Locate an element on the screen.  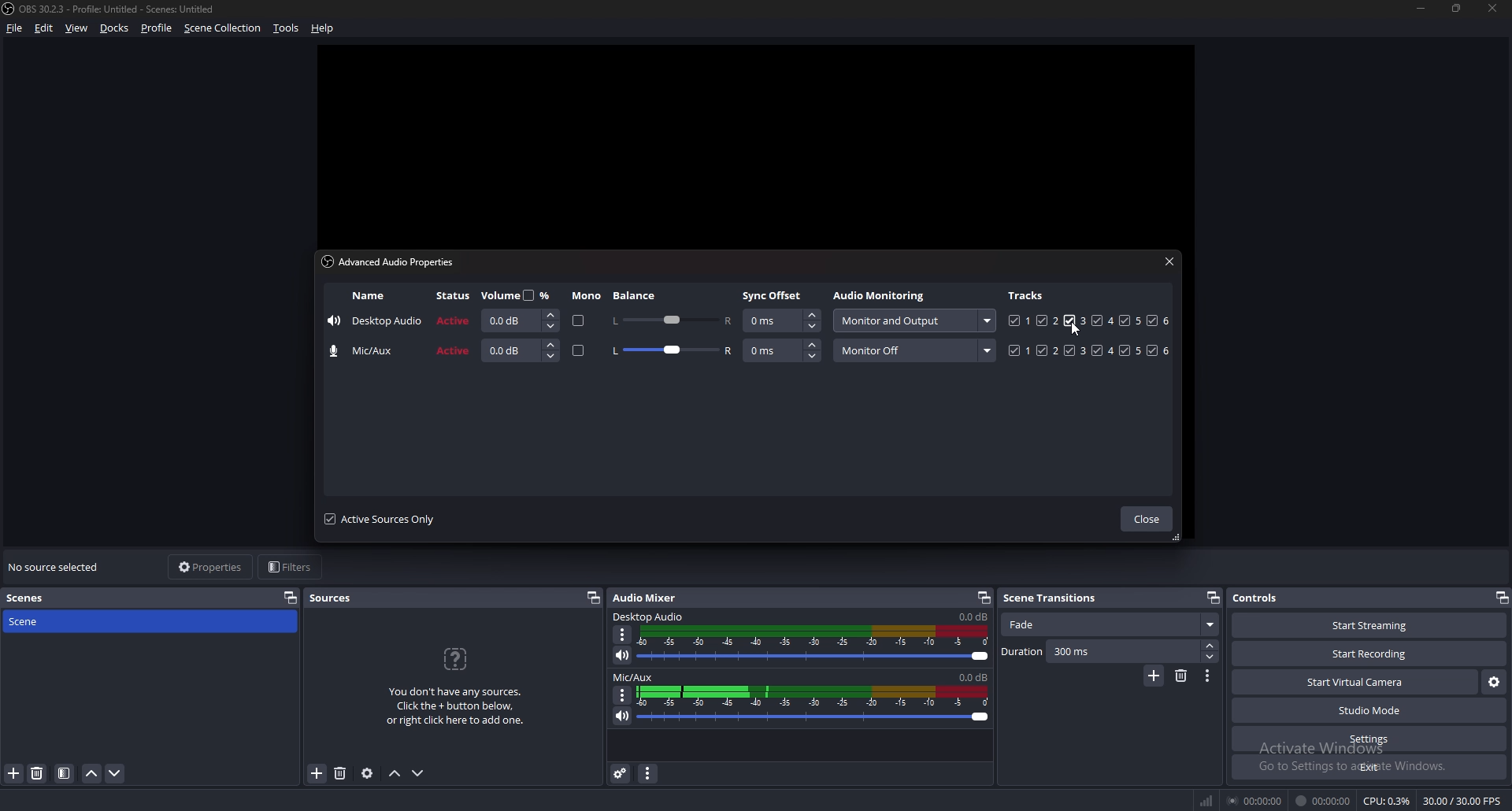
audio mixer menu is located at coordinates (650, 774).